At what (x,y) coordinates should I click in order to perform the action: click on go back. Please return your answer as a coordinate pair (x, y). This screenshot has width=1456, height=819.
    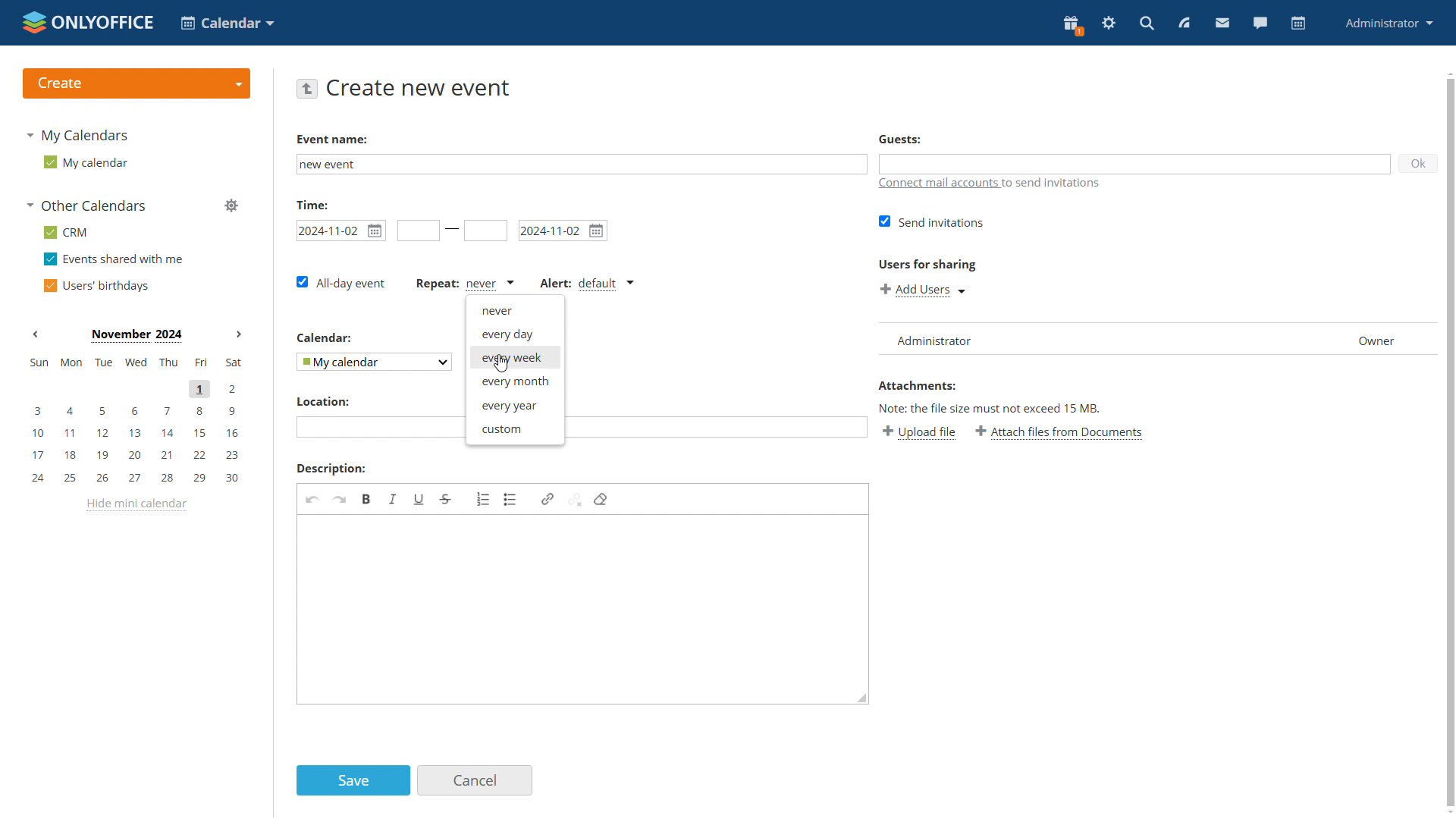
    Looking at the image, I should click on (308, 89).